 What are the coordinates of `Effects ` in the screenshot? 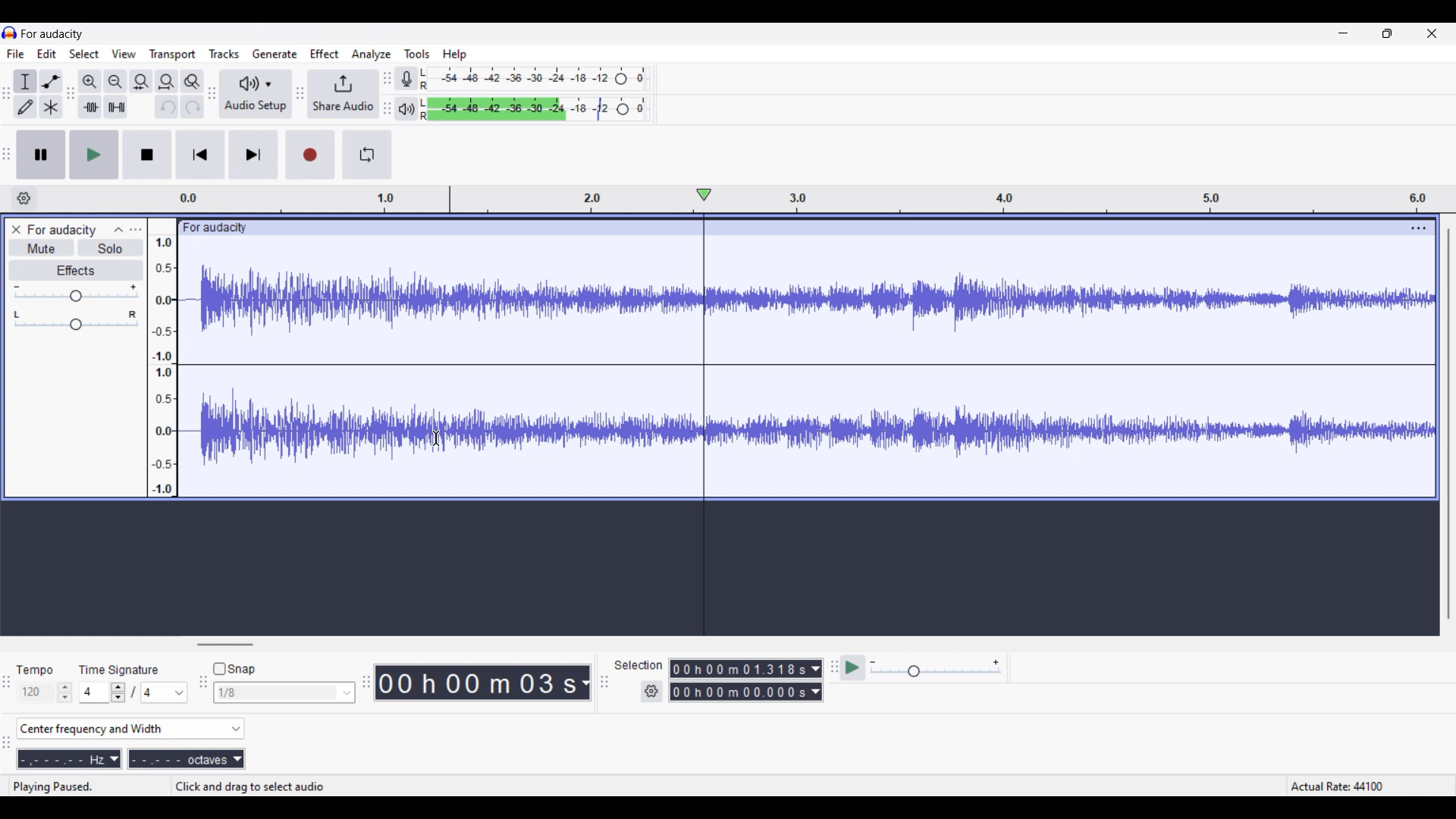 It's located at (77, 270).